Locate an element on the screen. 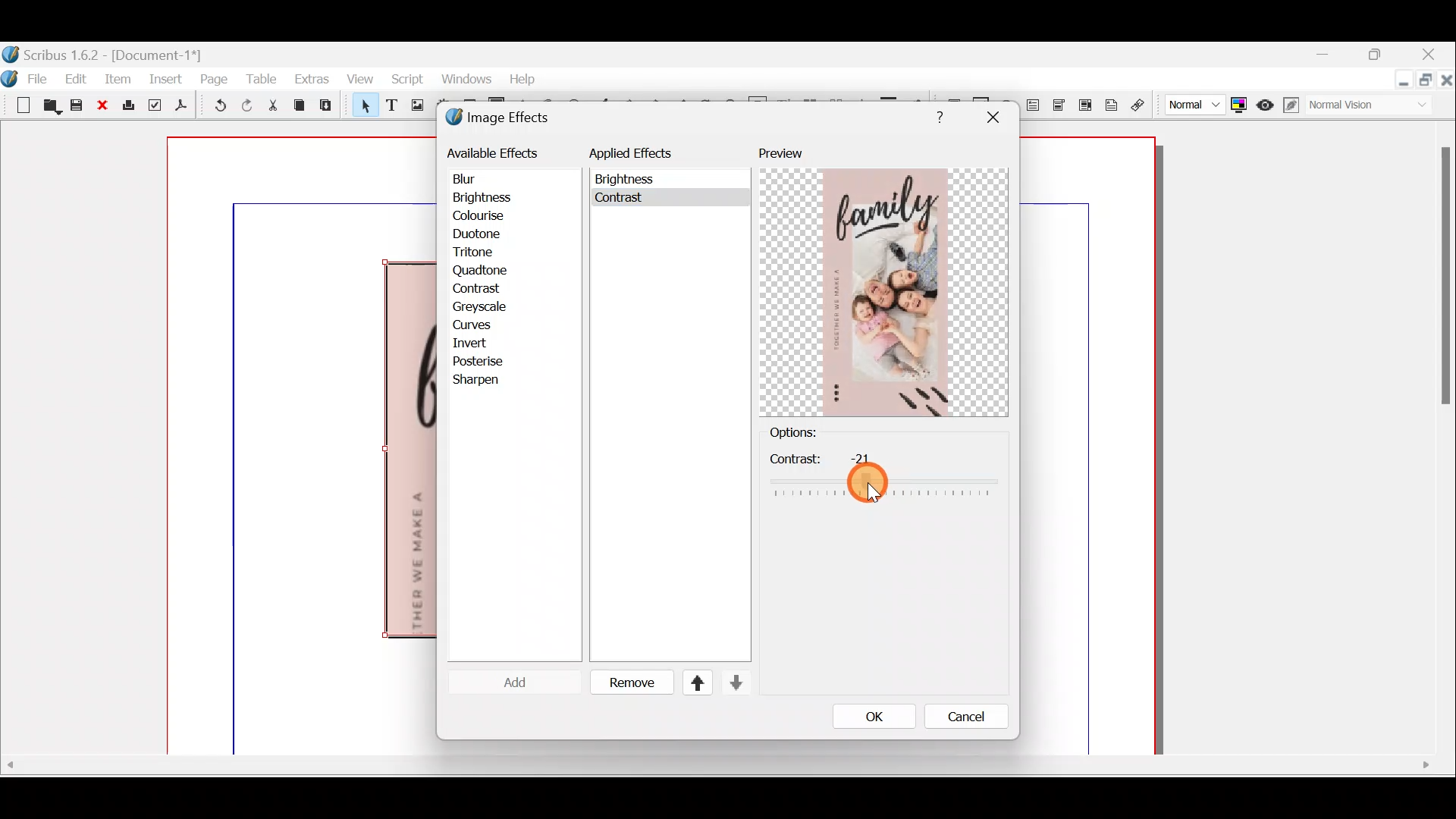 This screenshot has width=1456, height=819. Redo is located at coordinates (246, 105).